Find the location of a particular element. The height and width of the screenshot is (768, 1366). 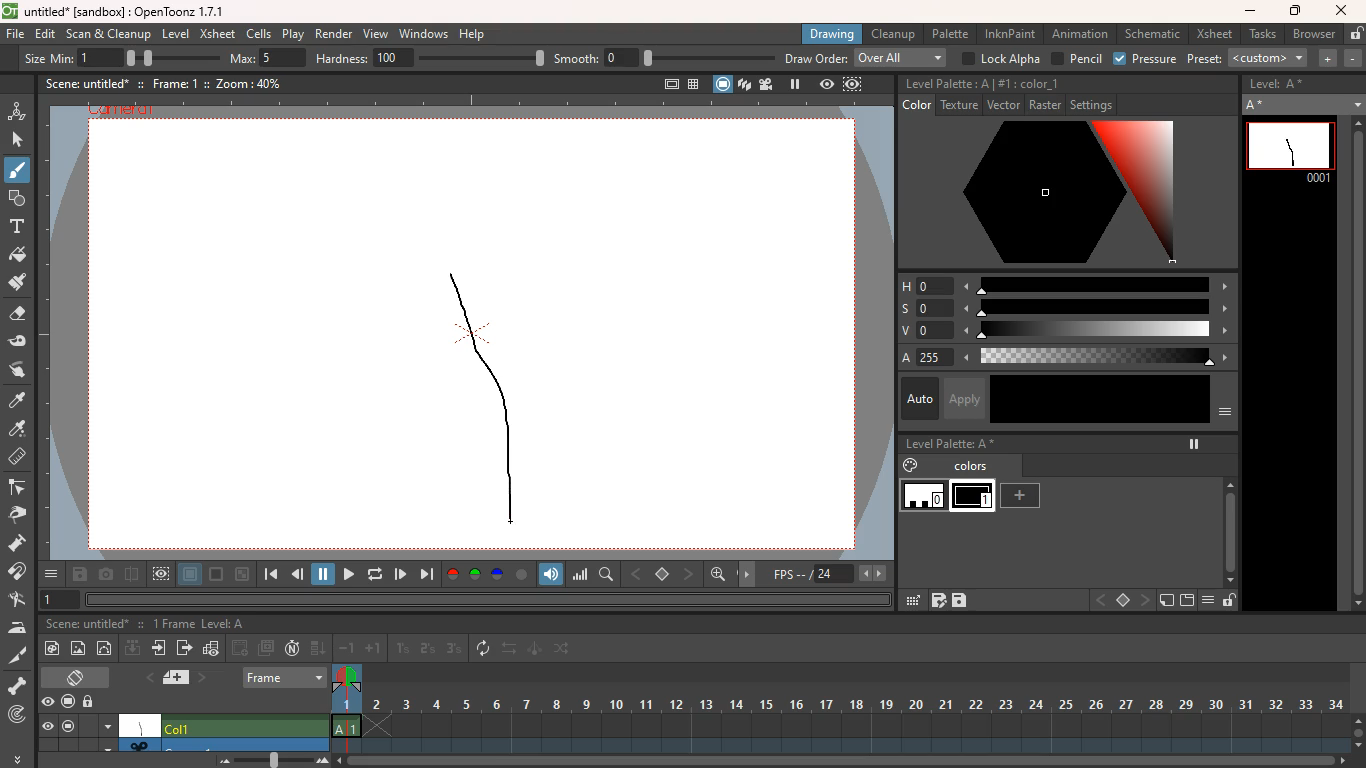

smooth: is located at coordinates (663, 58).